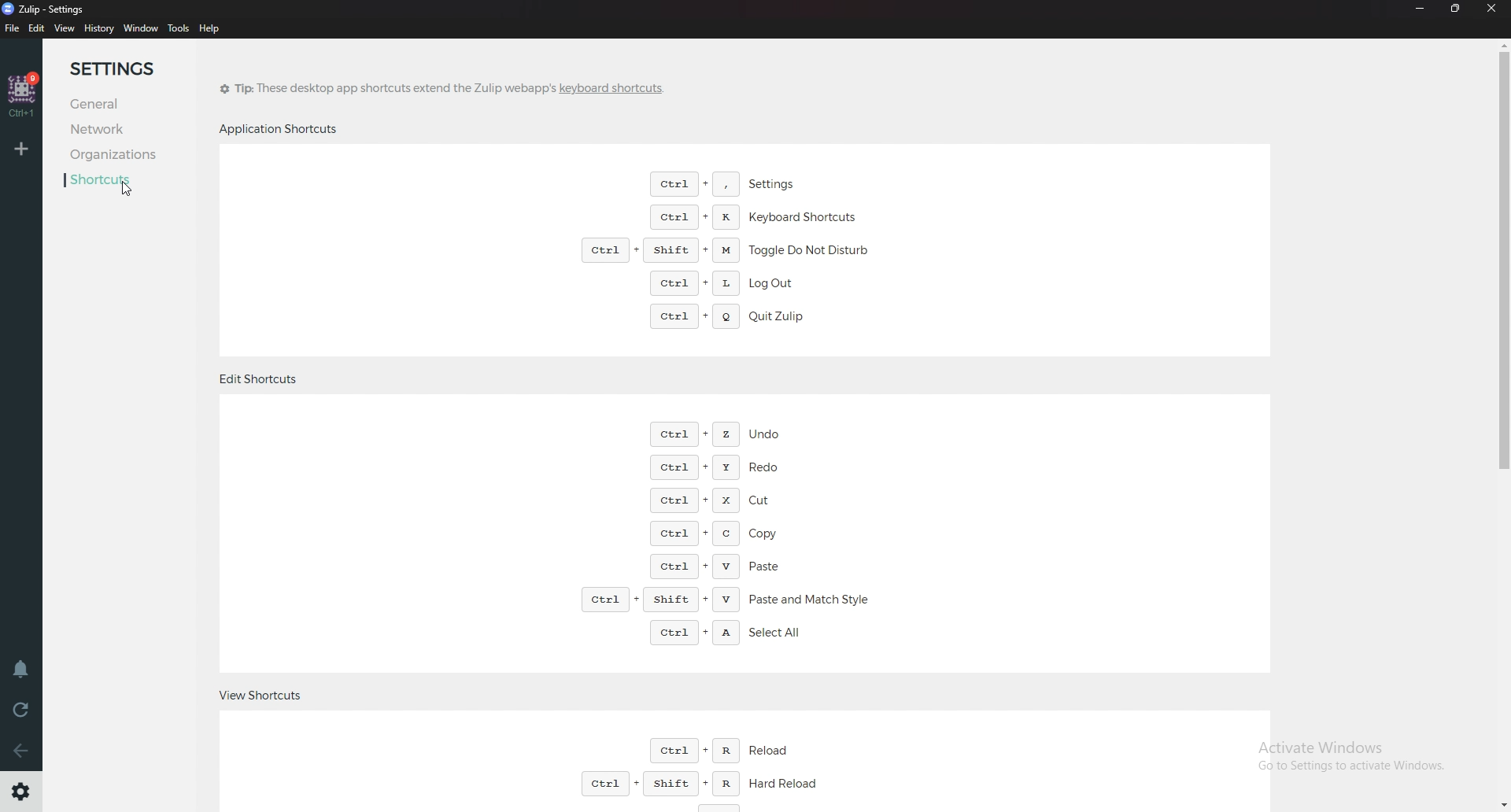 The image size is (1511, 812). What do you see at coordinates (19, 793) in the screenshot?
I see `Settings` at bounding box center [19, 793].